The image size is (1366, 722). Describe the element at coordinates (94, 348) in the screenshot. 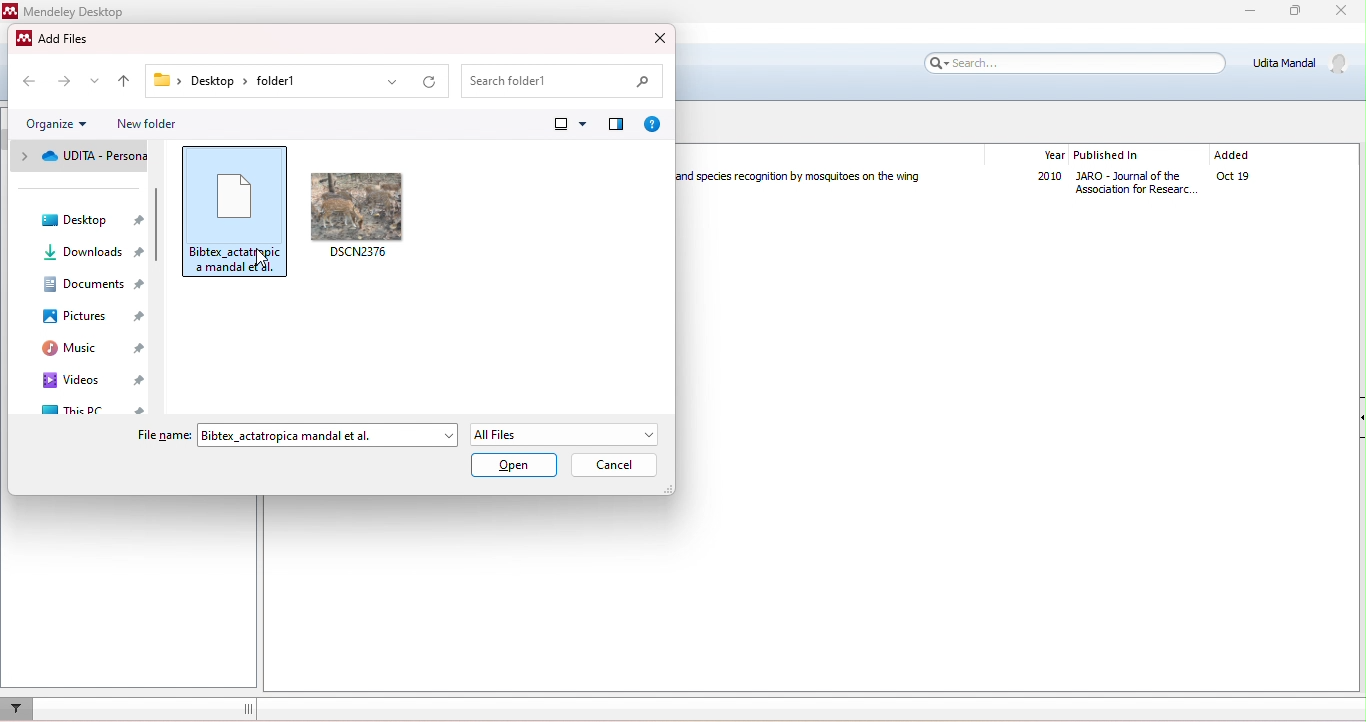

I see `music` at that location.